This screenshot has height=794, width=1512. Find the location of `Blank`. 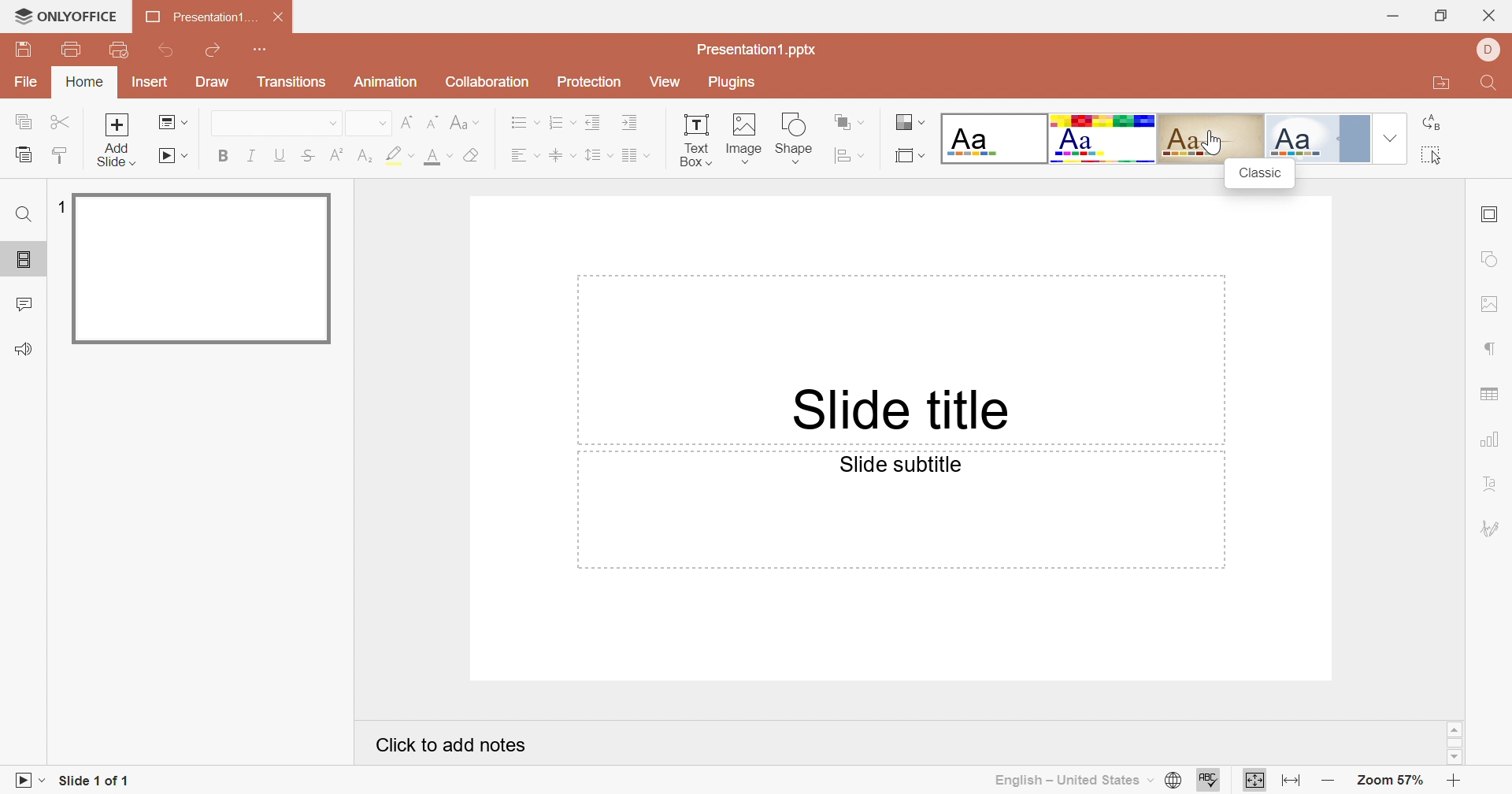

Blank is located at coordinates (993, 139).